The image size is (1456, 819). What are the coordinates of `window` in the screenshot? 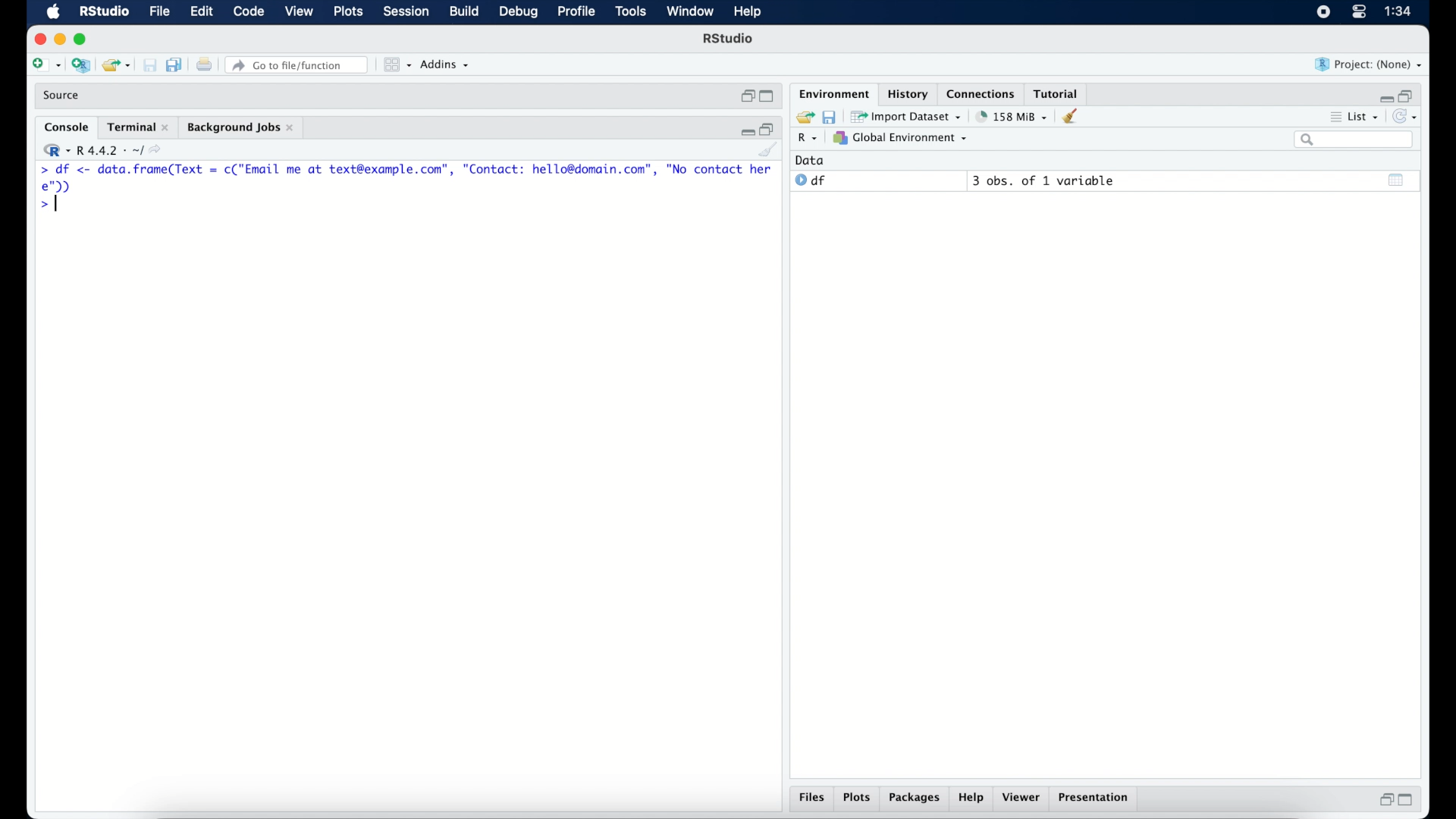 It's located at (691, 13).